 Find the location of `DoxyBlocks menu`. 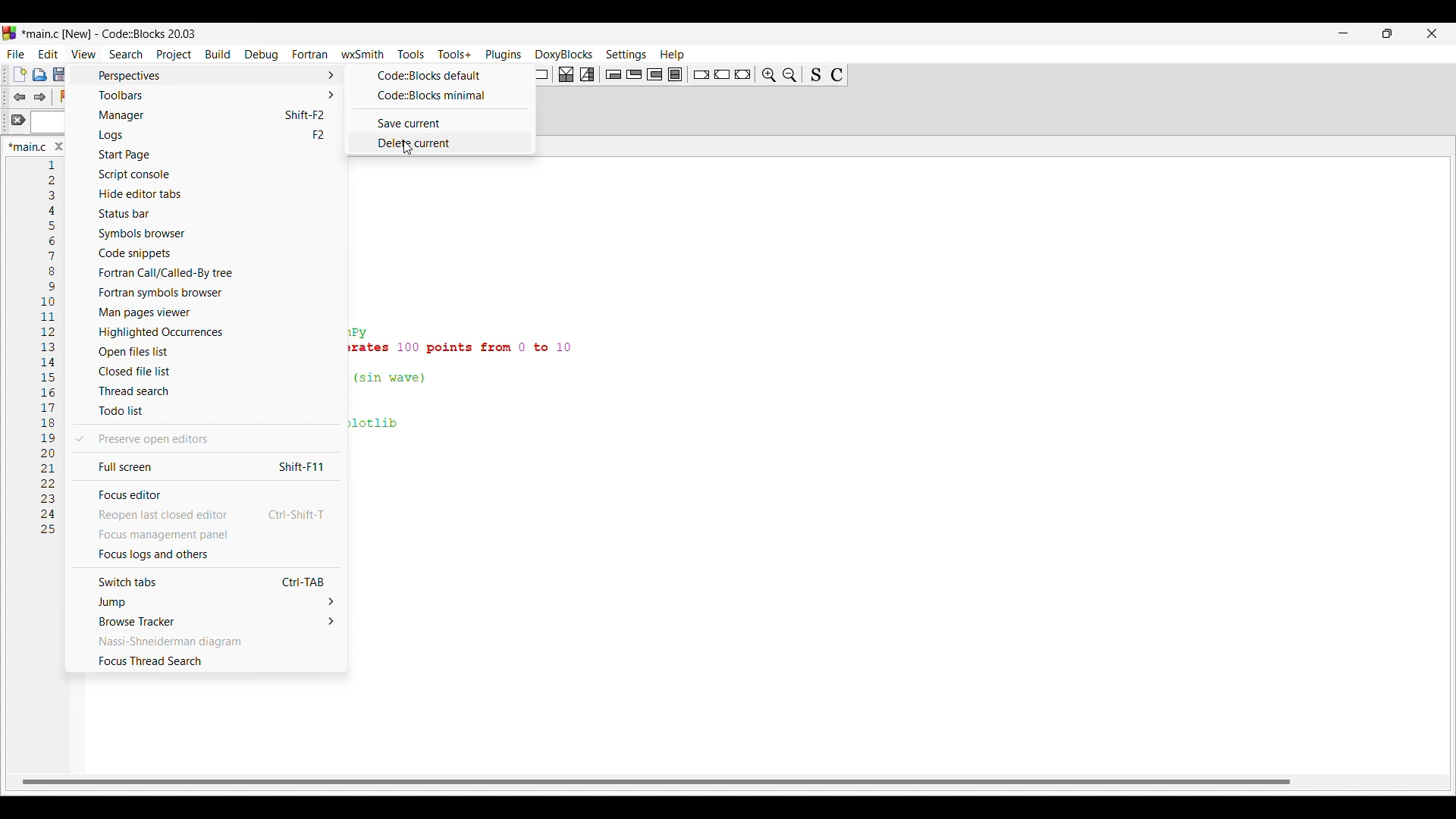

DoxyBlocks menu is located at coordinates (564, 55).